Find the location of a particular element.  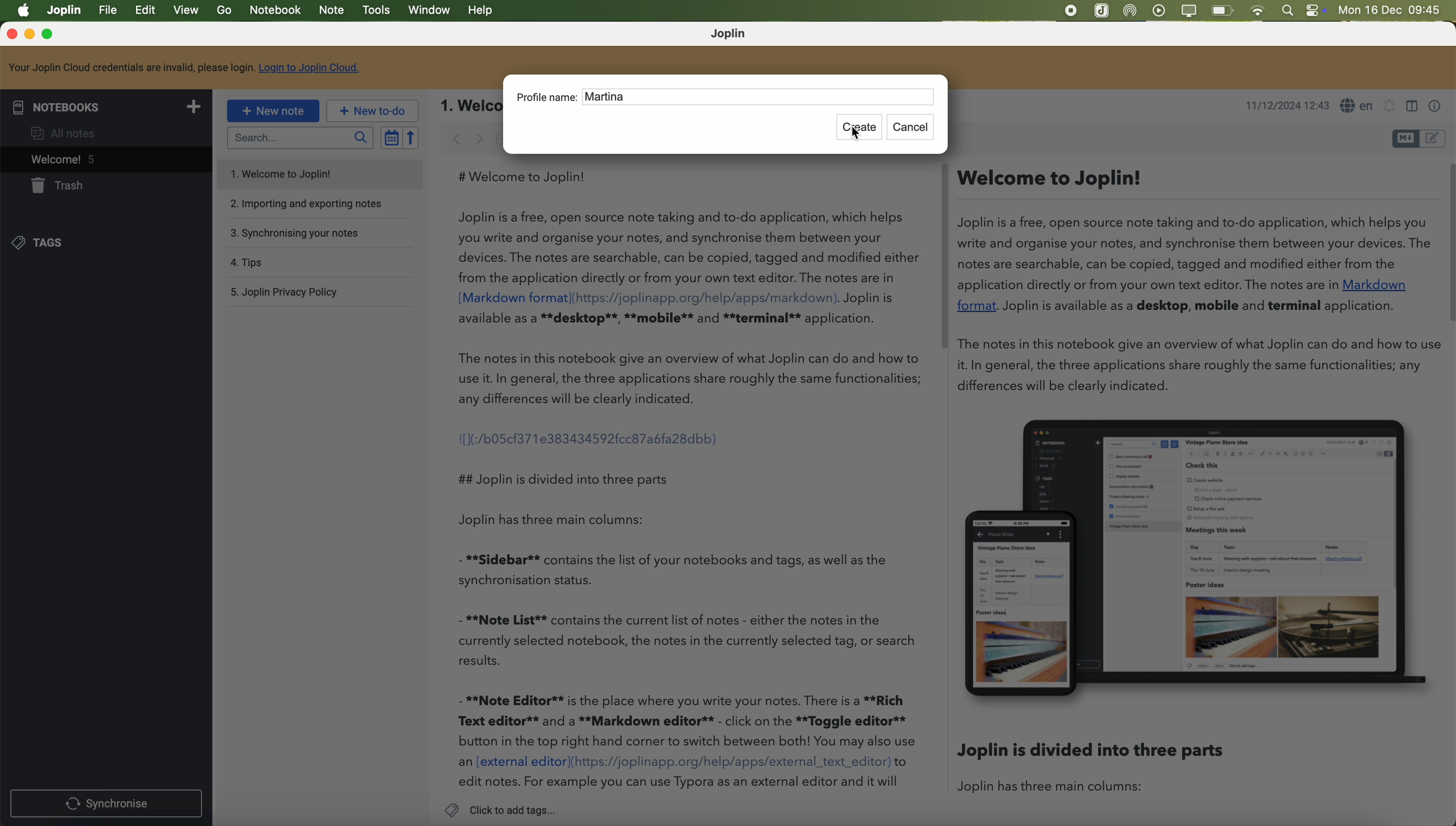

tags is located at coordinates (47, 243).